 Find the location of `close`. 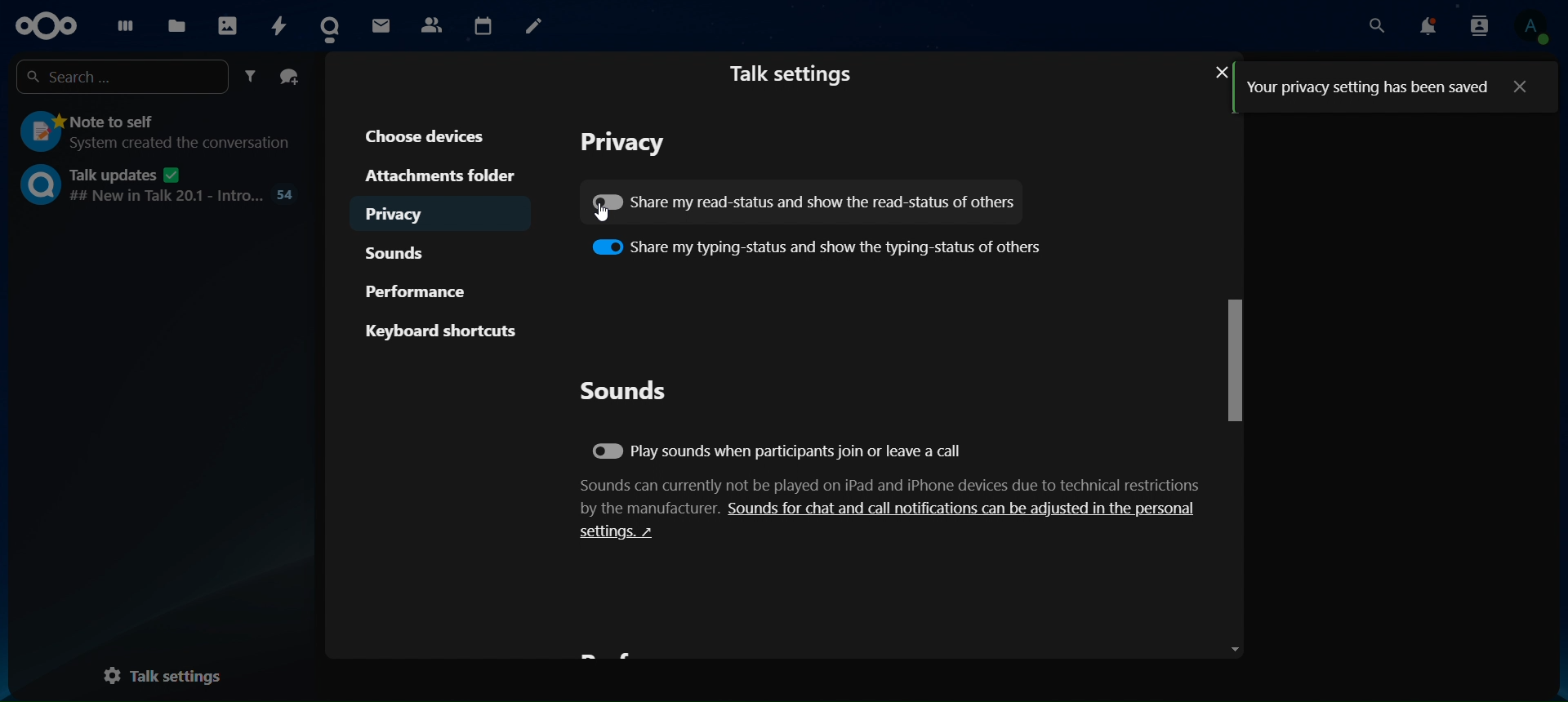

close is located at coordinates (1522, 86).